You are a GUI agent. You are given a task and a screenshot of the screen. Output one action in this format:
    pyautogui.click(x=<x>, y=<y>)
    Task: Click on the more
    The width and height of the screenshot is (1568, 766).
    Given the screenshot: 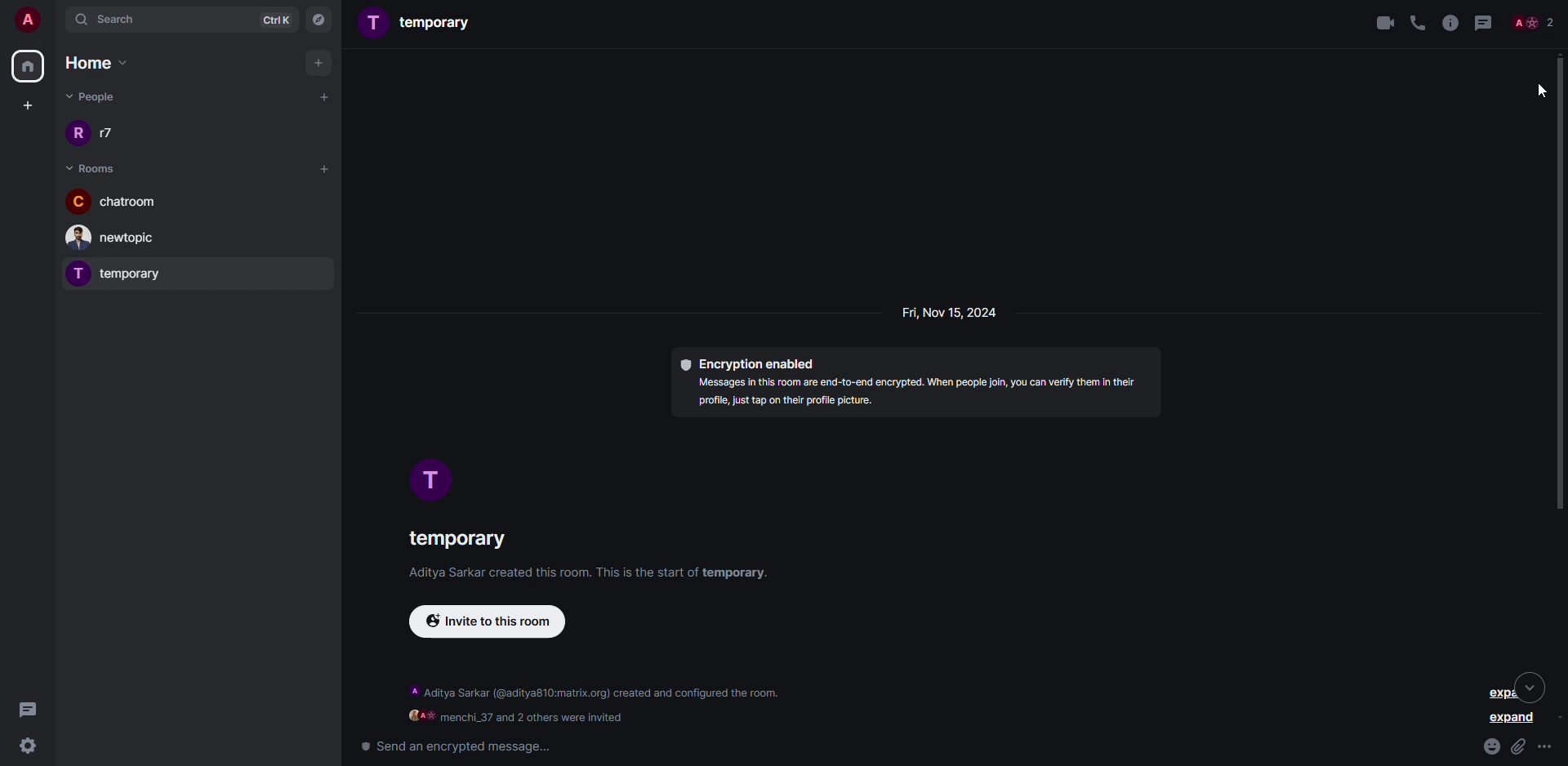 What is the action you would take?
    pyautogui.click(x=1548, y=747)
    